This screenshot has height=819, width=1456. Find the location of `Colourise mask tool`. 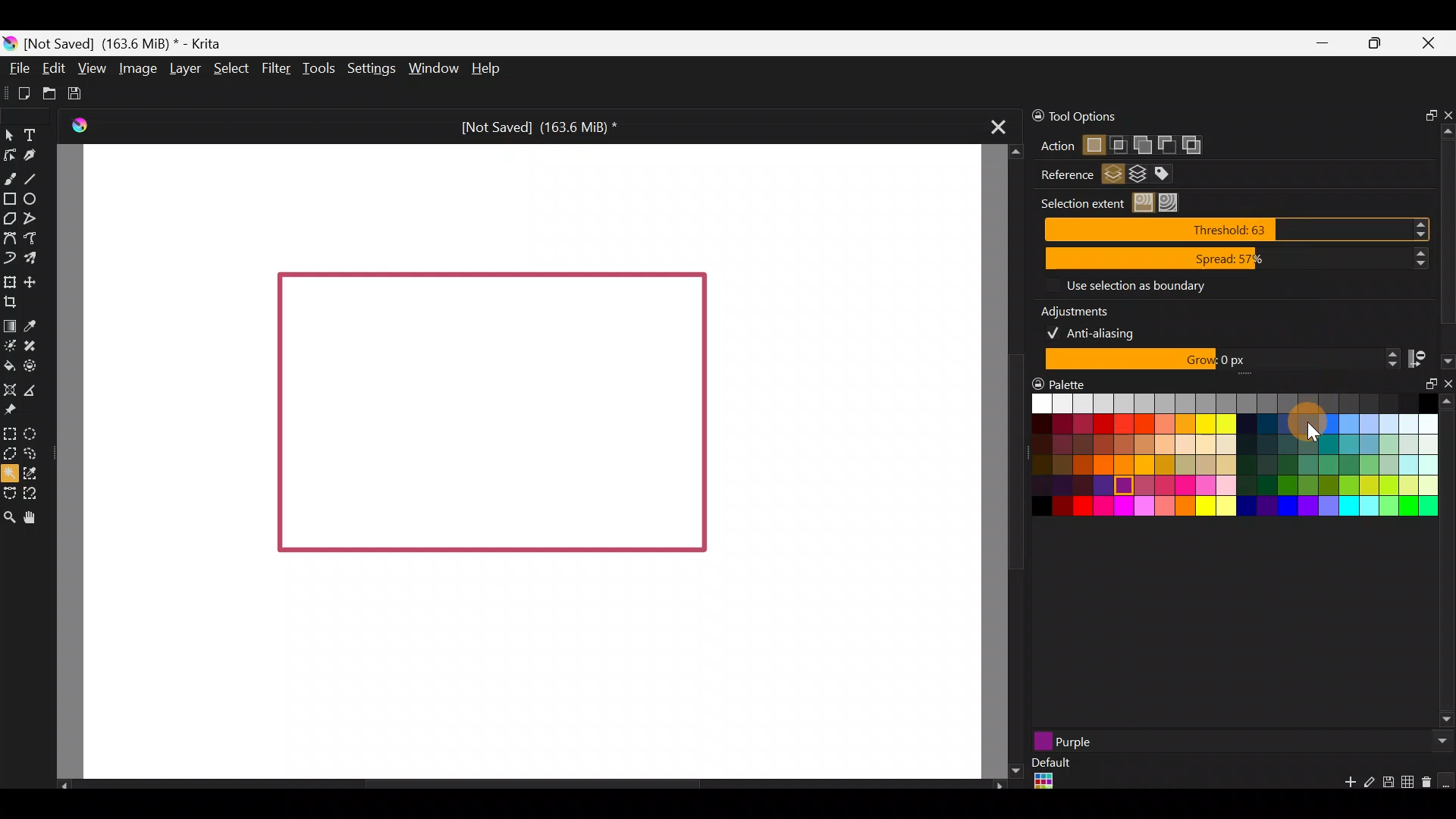

Colourise mask tool is located at coordinates (10, 347).